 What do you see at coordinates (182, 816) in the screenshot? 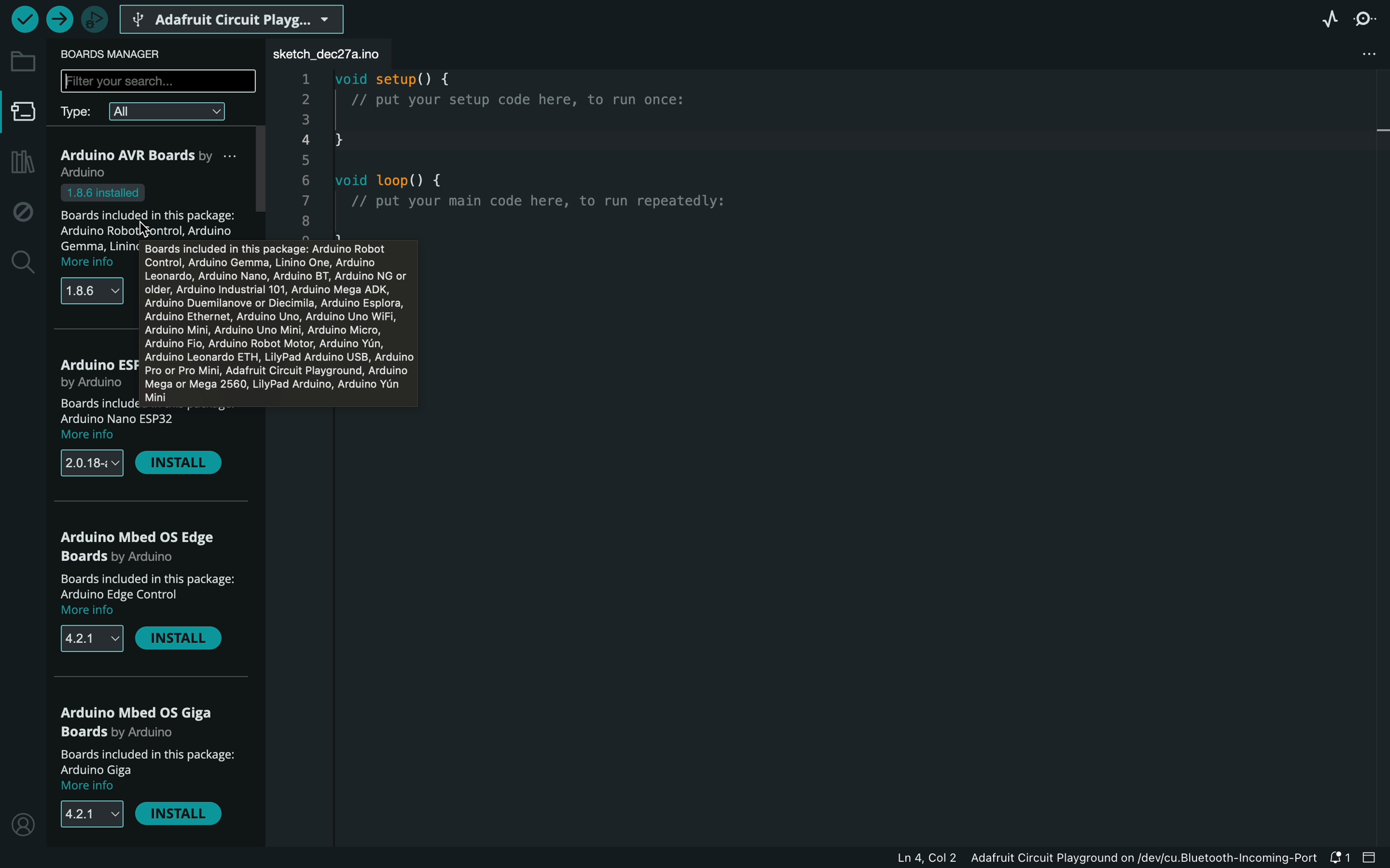
I see `install` at bounding box center [182, 816].